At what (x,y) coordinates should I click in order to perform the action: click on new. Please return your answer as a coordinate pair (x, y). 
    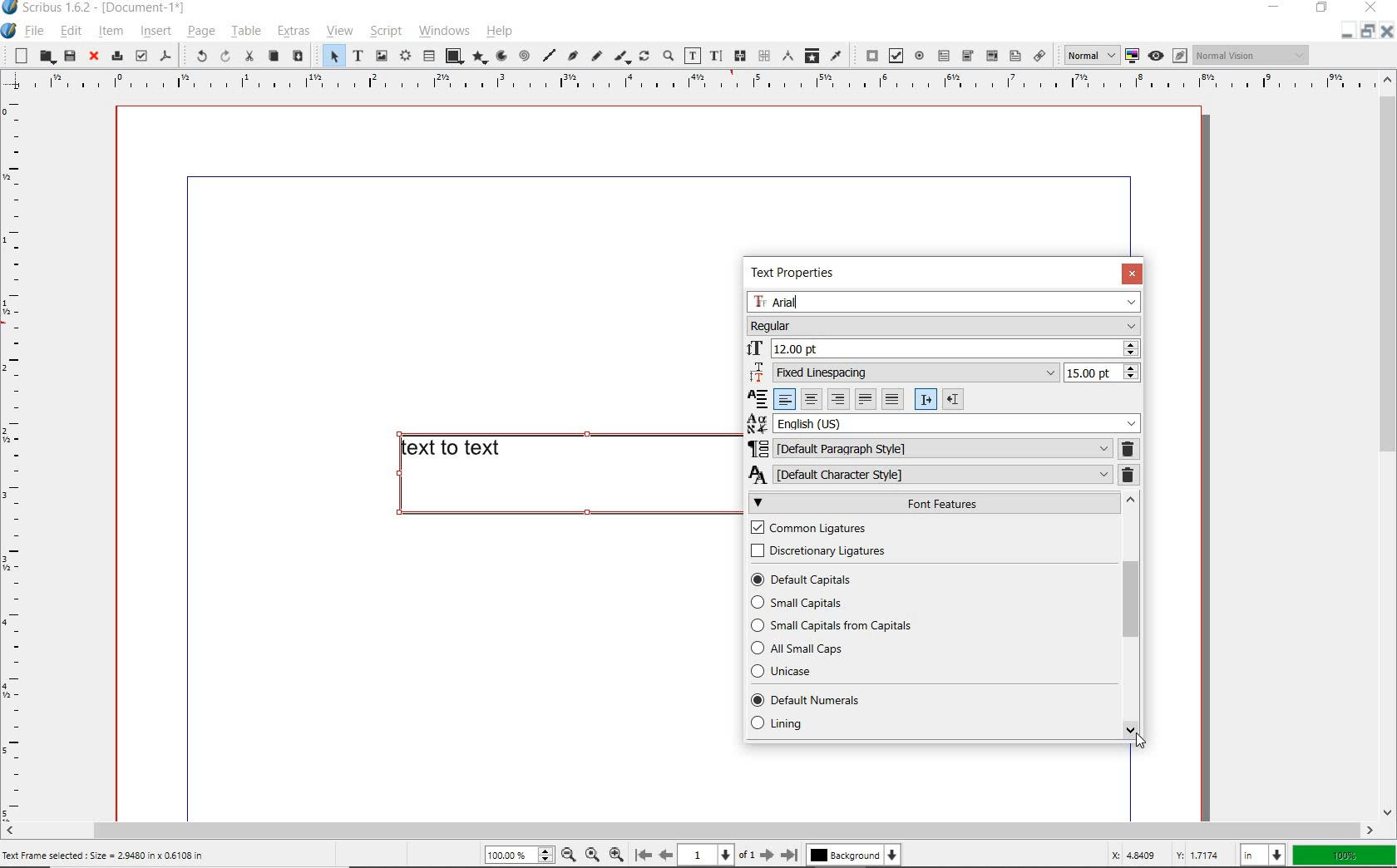
    Looking at the image, I should click on (17, 55).